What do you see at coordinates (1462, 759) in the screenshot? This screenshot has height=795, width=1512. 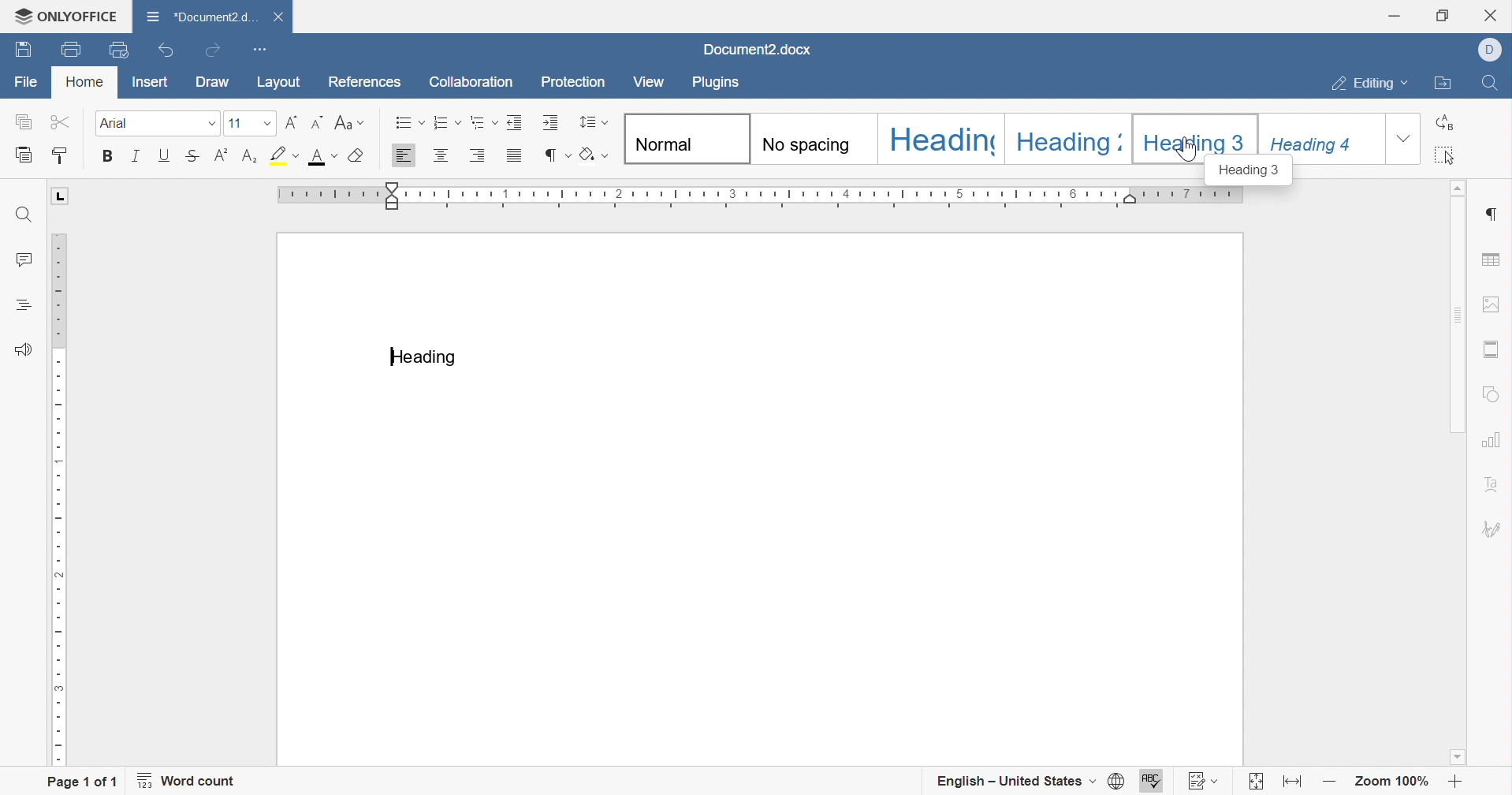 I see `Scroll Down` at bounding box center [1462, 759].